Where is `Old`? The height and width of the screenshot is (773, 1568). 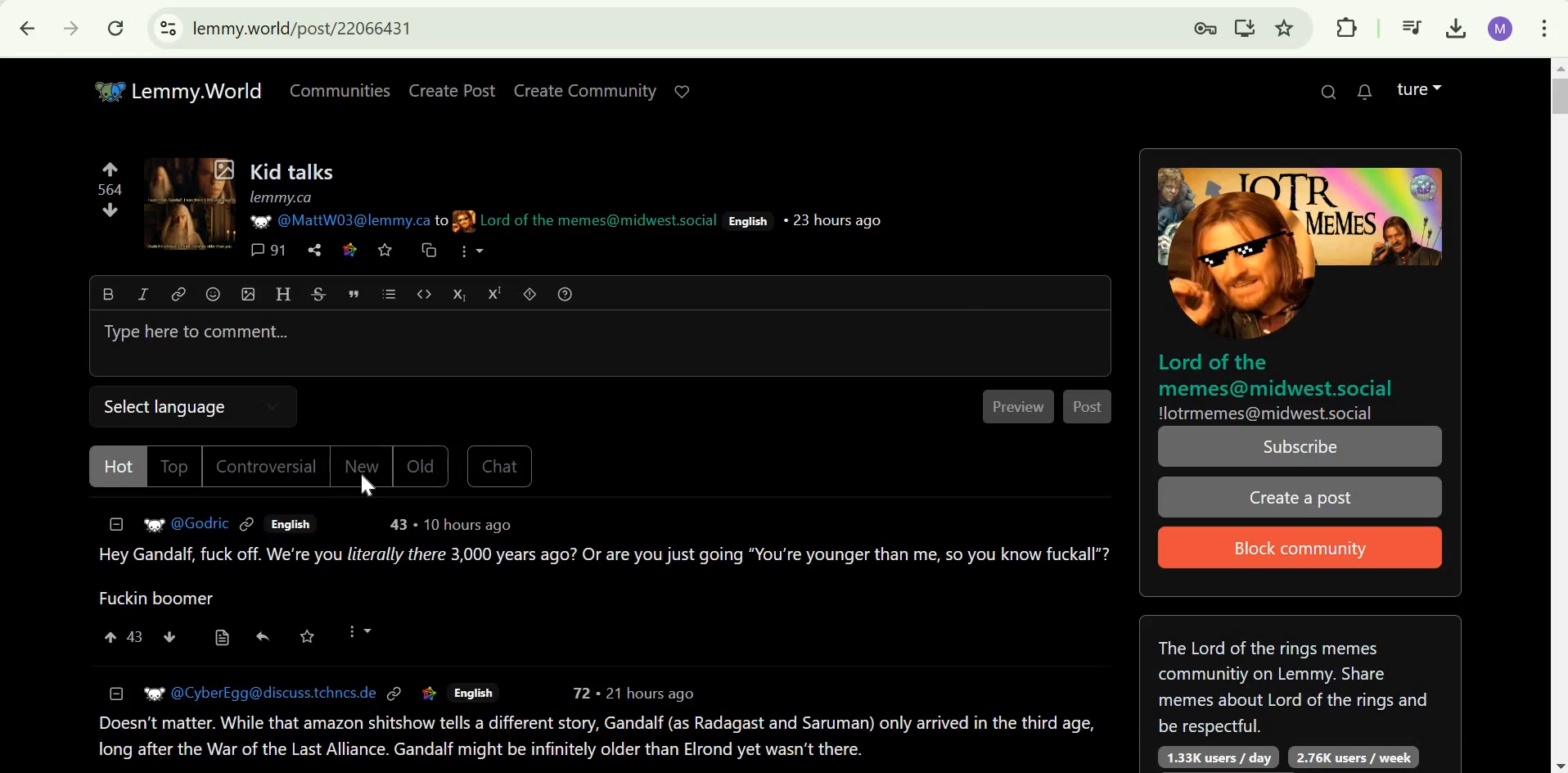 Old is located at coordinates (423, 467).